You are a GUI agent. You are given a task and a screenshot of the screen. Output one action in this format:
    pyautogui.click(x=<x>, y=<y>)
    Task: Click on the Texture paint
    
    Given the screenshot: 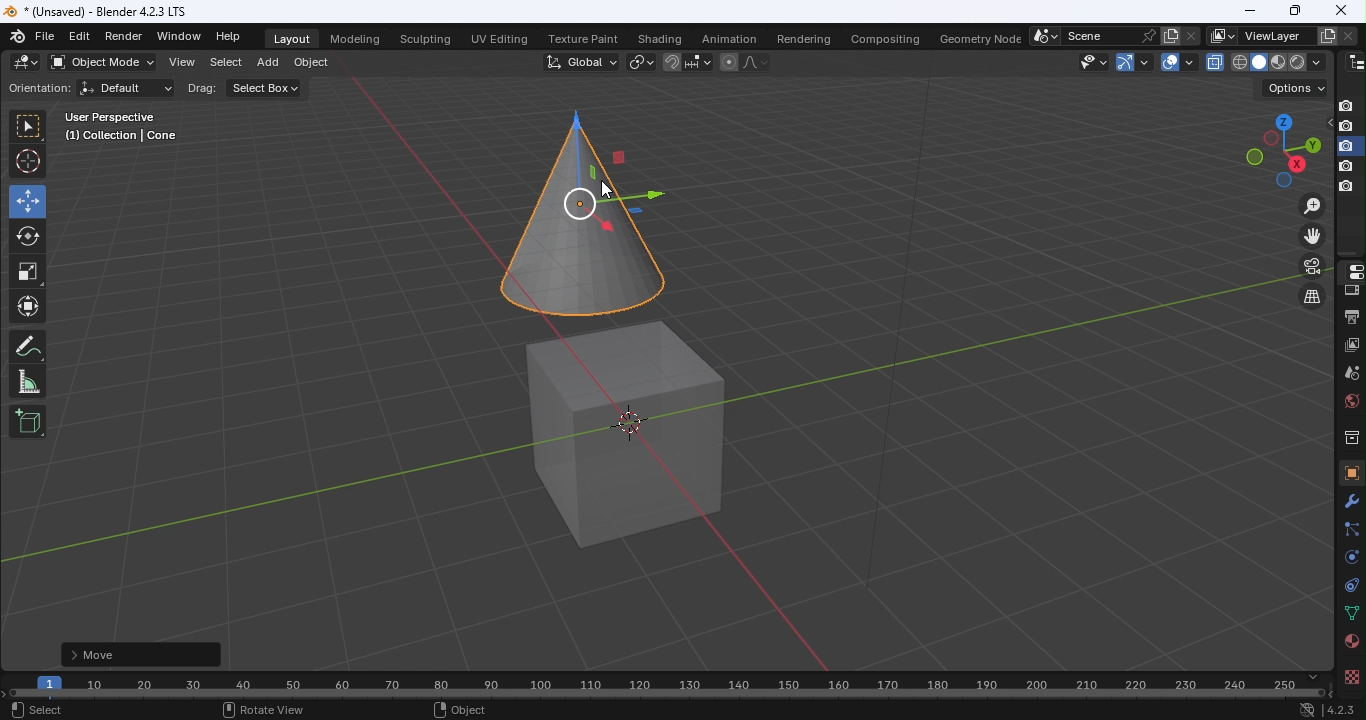 What is the action you would take?
    pyautogui.click(x=585, y=40)
    